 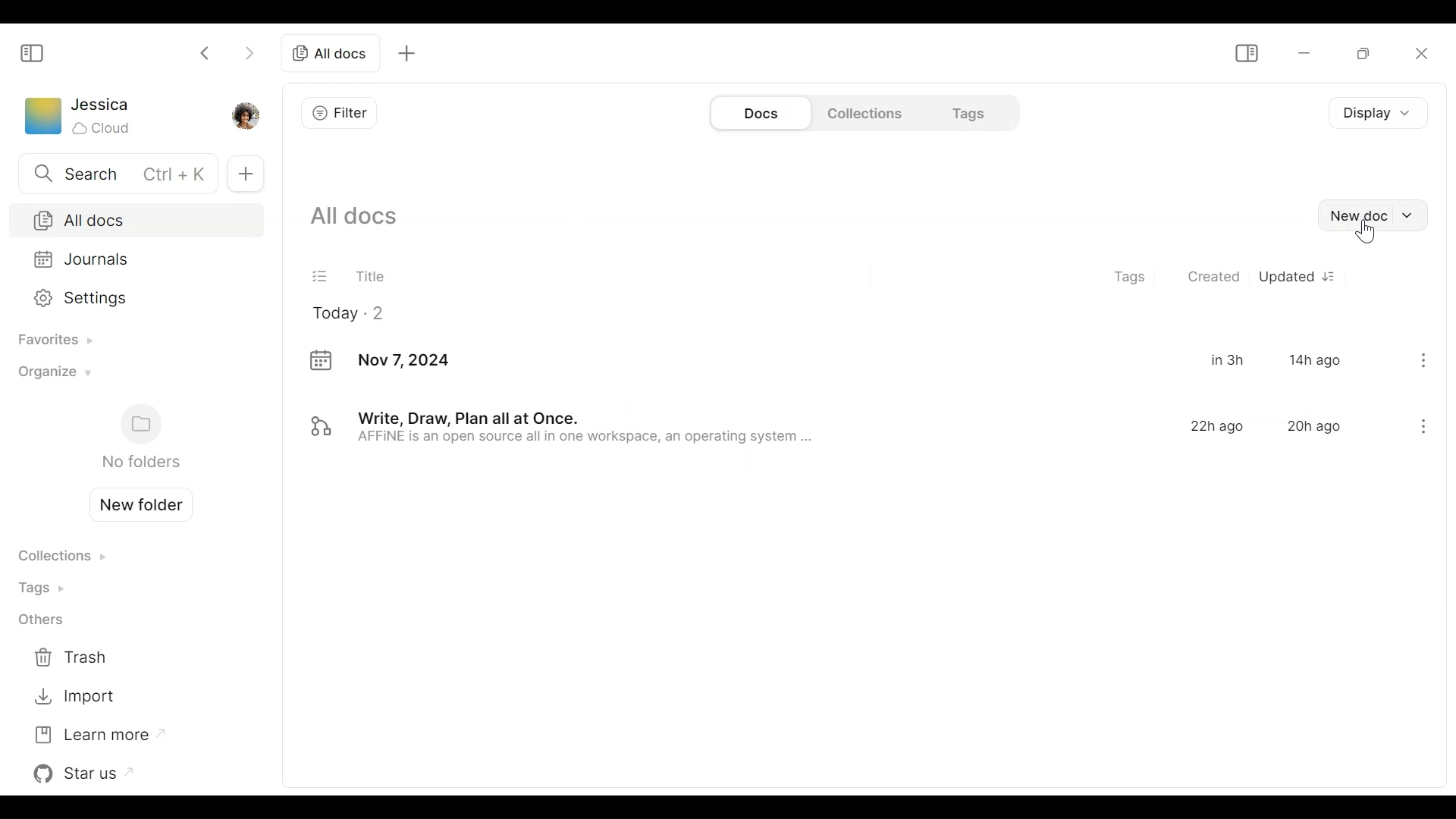 What do you see at coordinates (140, 438) in the screenshot?
I see `Folders` at bounding box center [140, 438].